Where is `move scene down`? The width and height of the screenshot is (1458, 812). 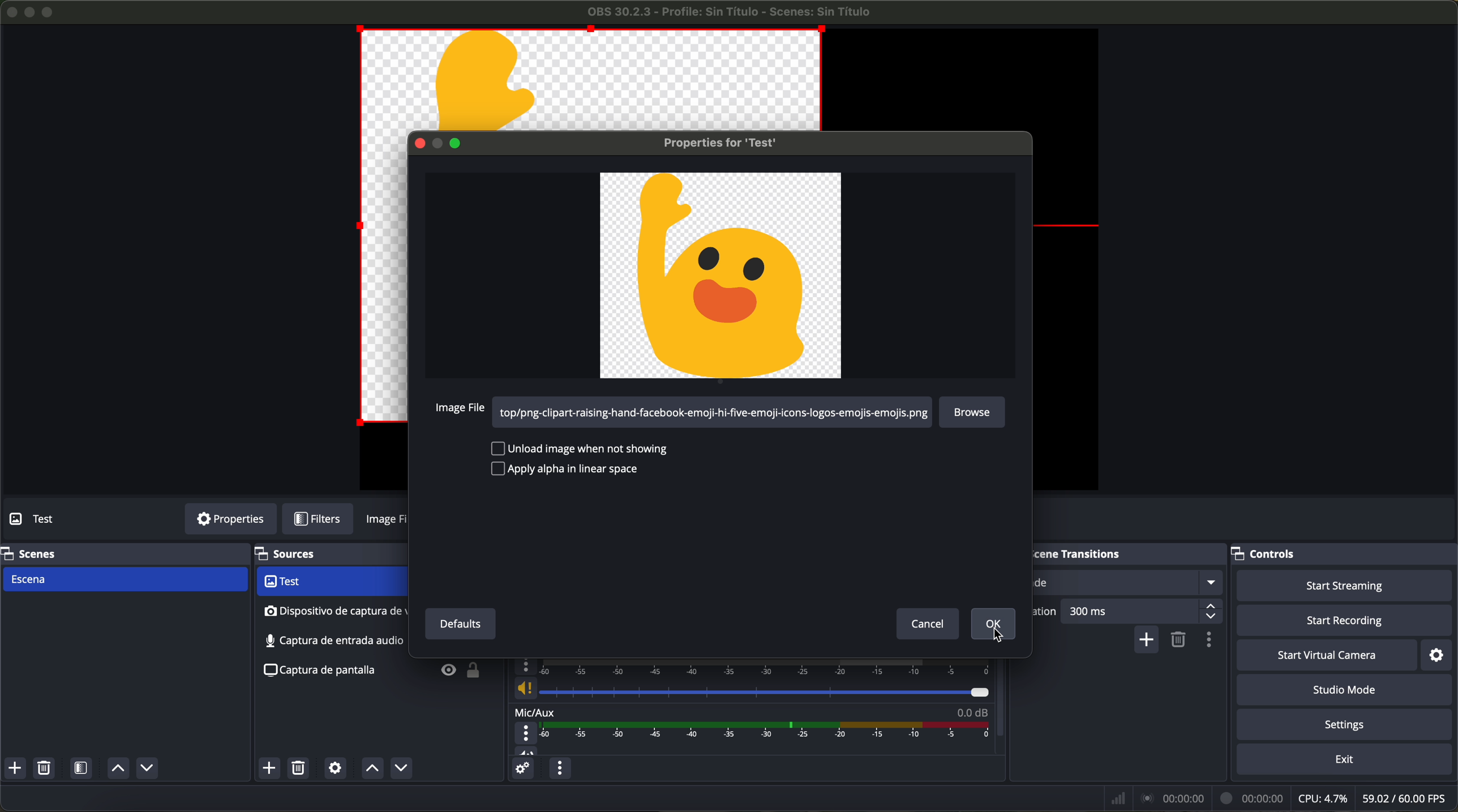 move scene down is located at coordinates (147, 770).